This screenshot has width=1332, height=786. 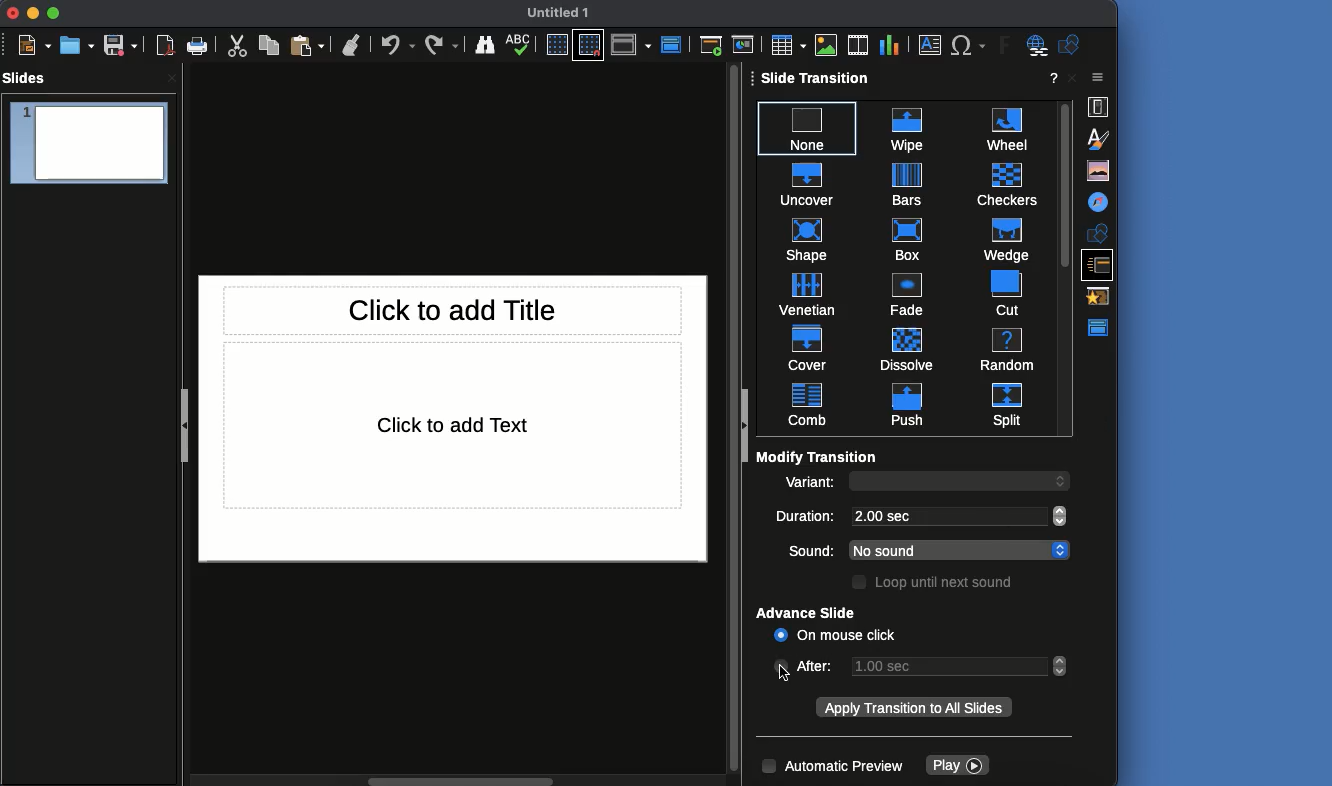 What do you see at coordinates (1034, 46) in the screenshot?
I see `Hyperlink` at bounding box center [1034, 46].